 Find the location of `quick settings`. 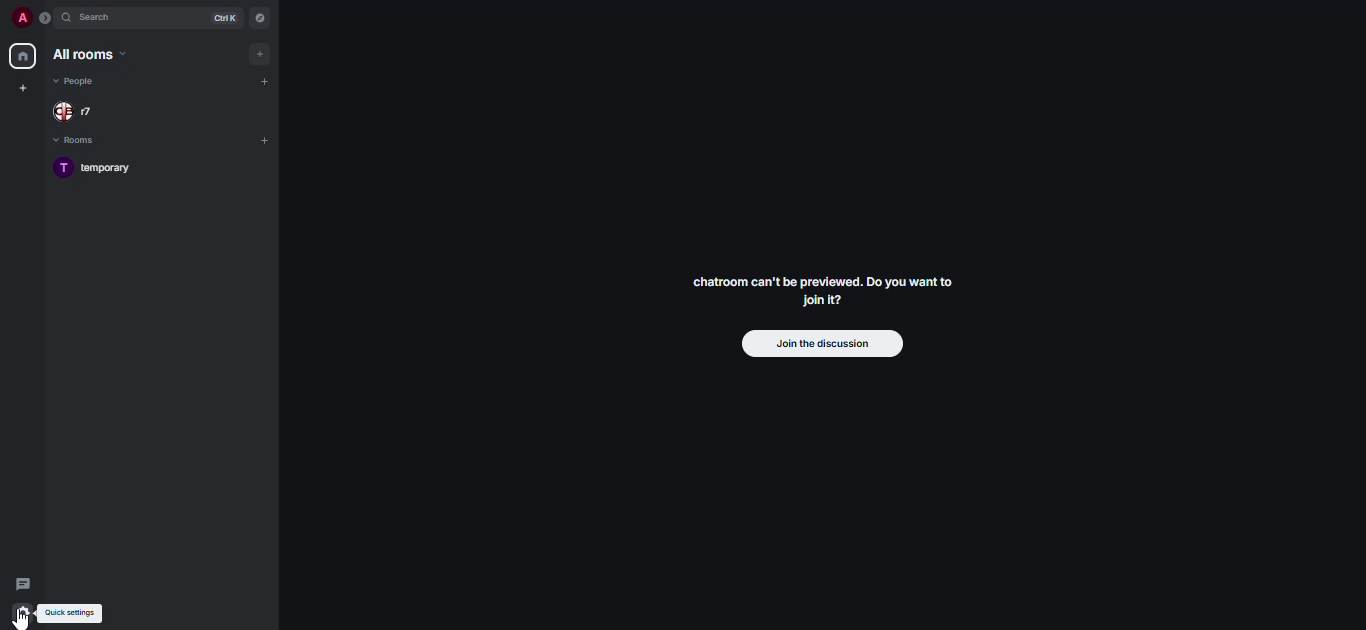

quick settings is located at coordinates (23, 614).